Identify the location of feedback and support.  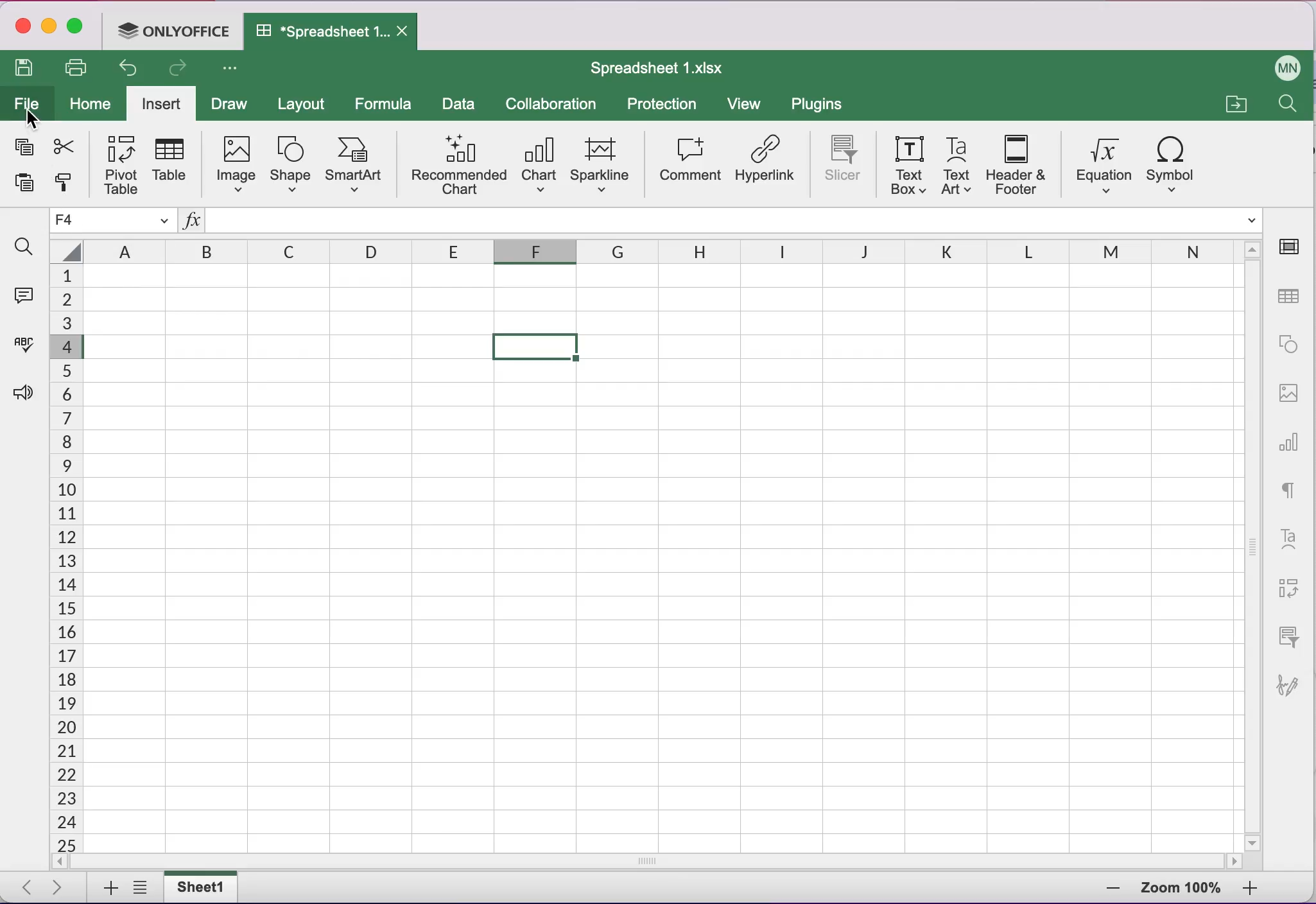
(24, 392).